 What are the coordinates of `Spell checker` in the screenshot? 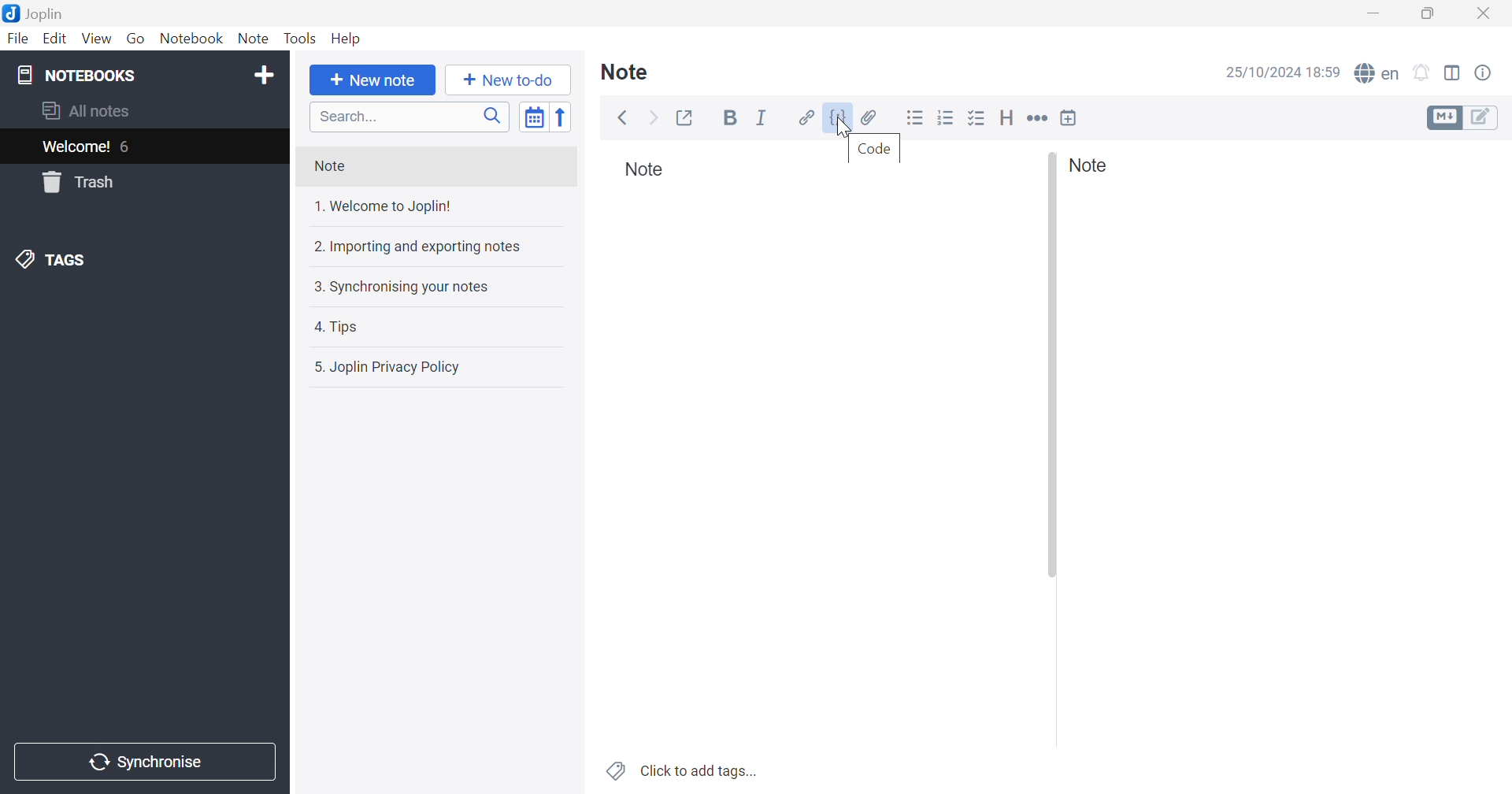 It's located at (1380, 73).